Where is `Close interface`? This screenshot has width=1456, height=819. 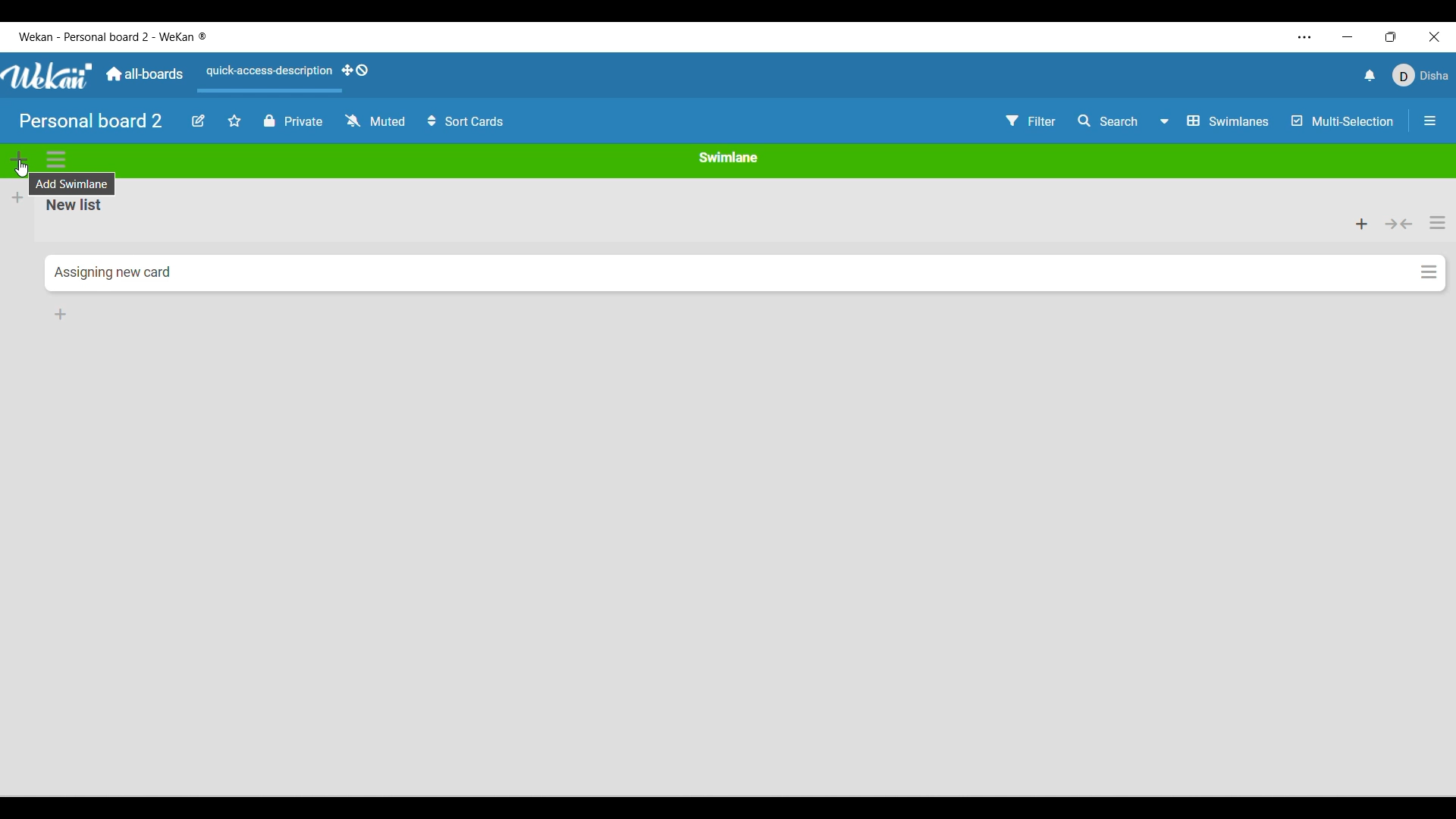
Close interface is located at coordinates (1435, 37).